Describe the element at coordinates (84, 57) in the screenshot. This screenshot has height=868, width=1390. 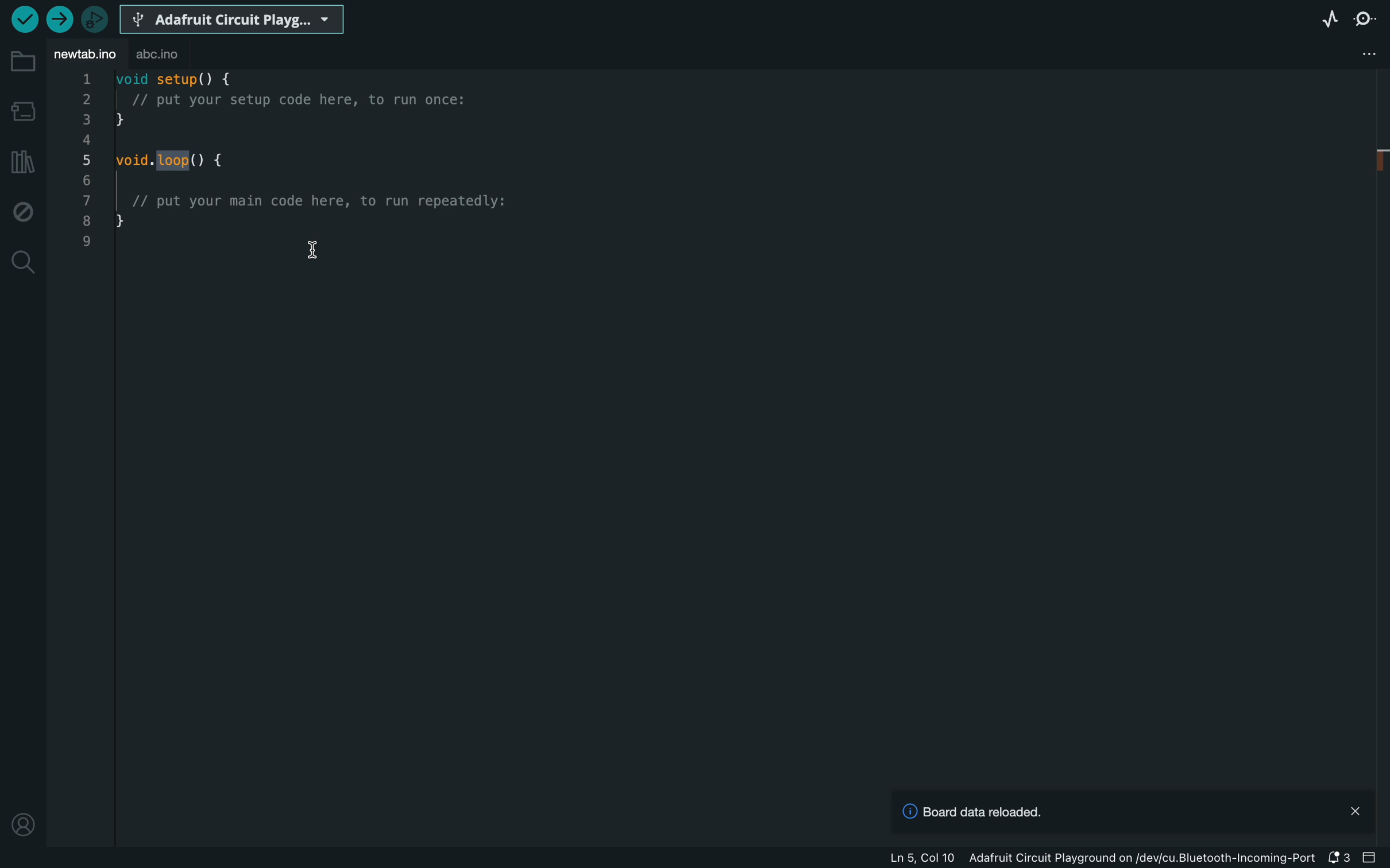
I see `newtab.ino` at that location.